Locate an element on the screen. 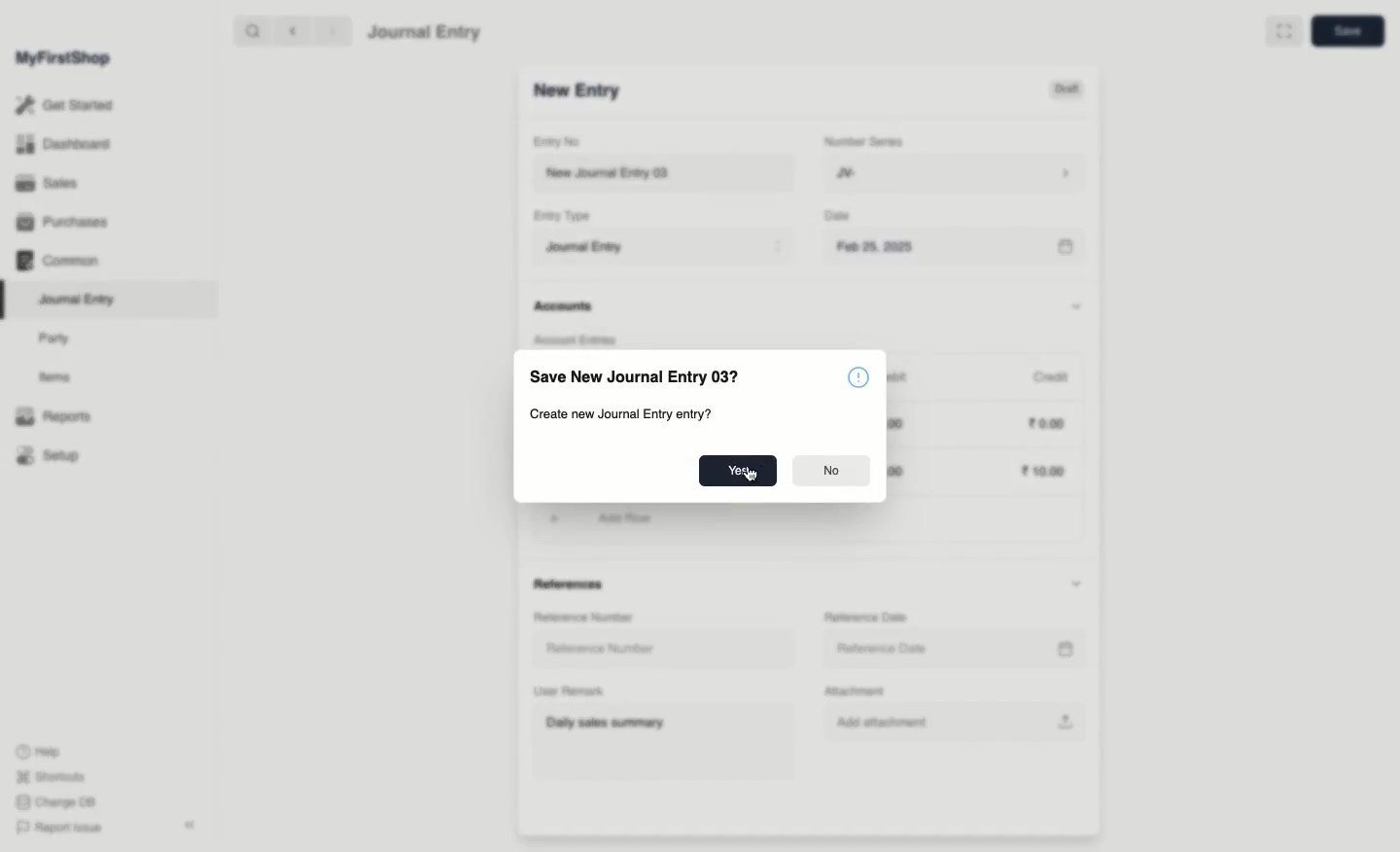  Sales is located at coordinates (48, 185).